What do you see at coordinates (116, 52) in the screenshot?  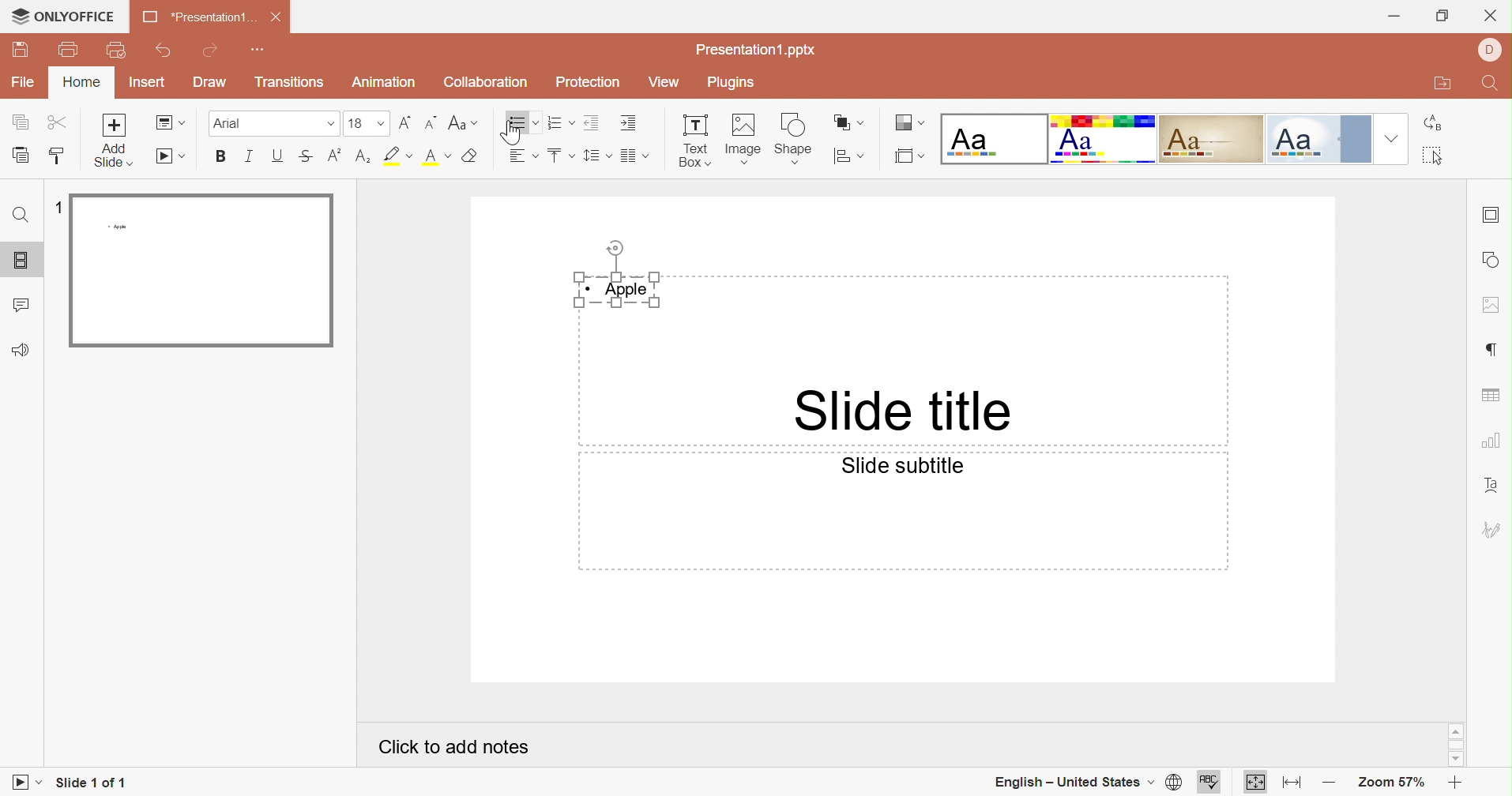 I see `Quick Print` at bounding box center [116, 52].